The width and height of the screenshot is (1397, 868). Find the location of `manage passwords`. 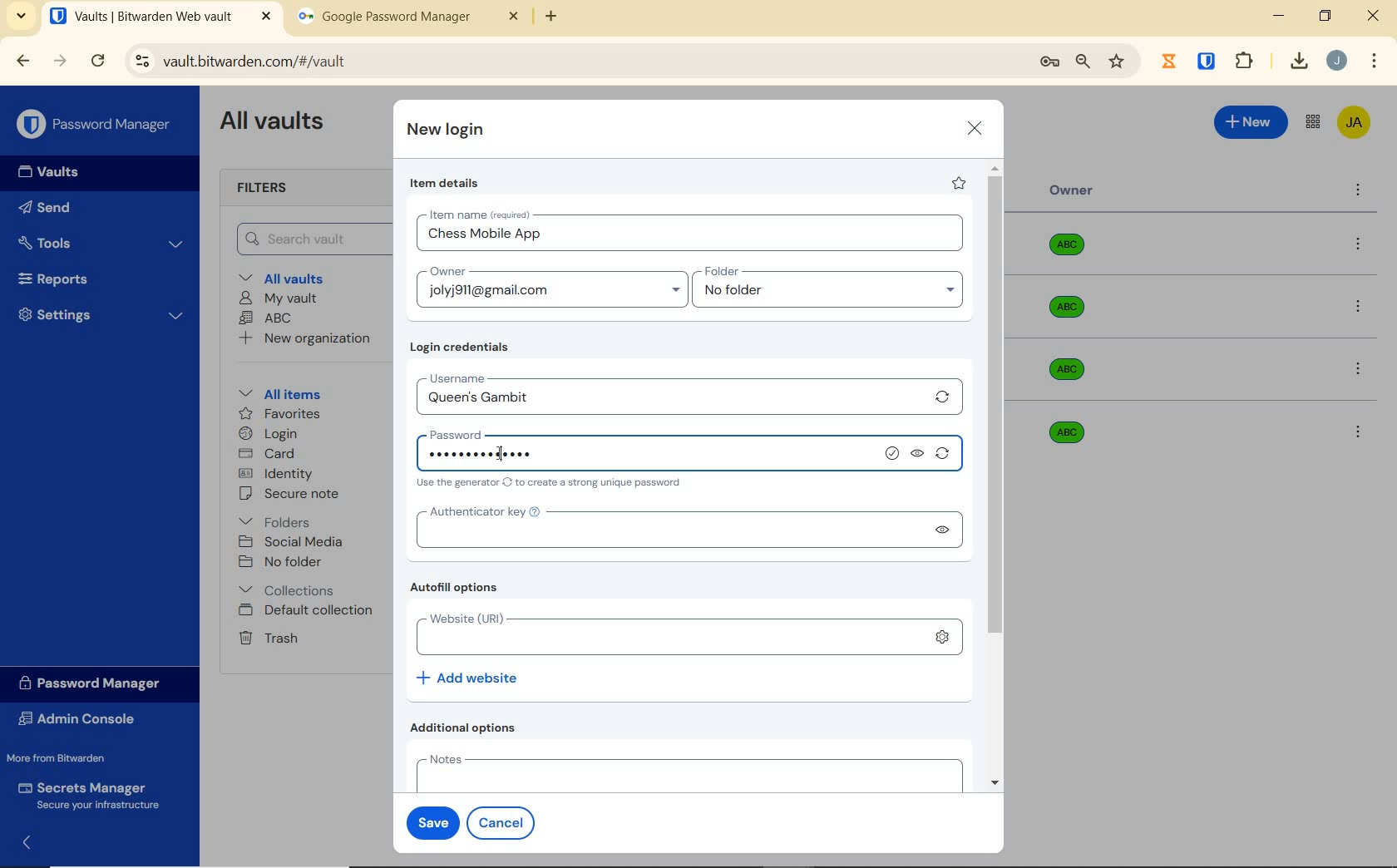

manage passwords is located at coordinates (1049, 62).